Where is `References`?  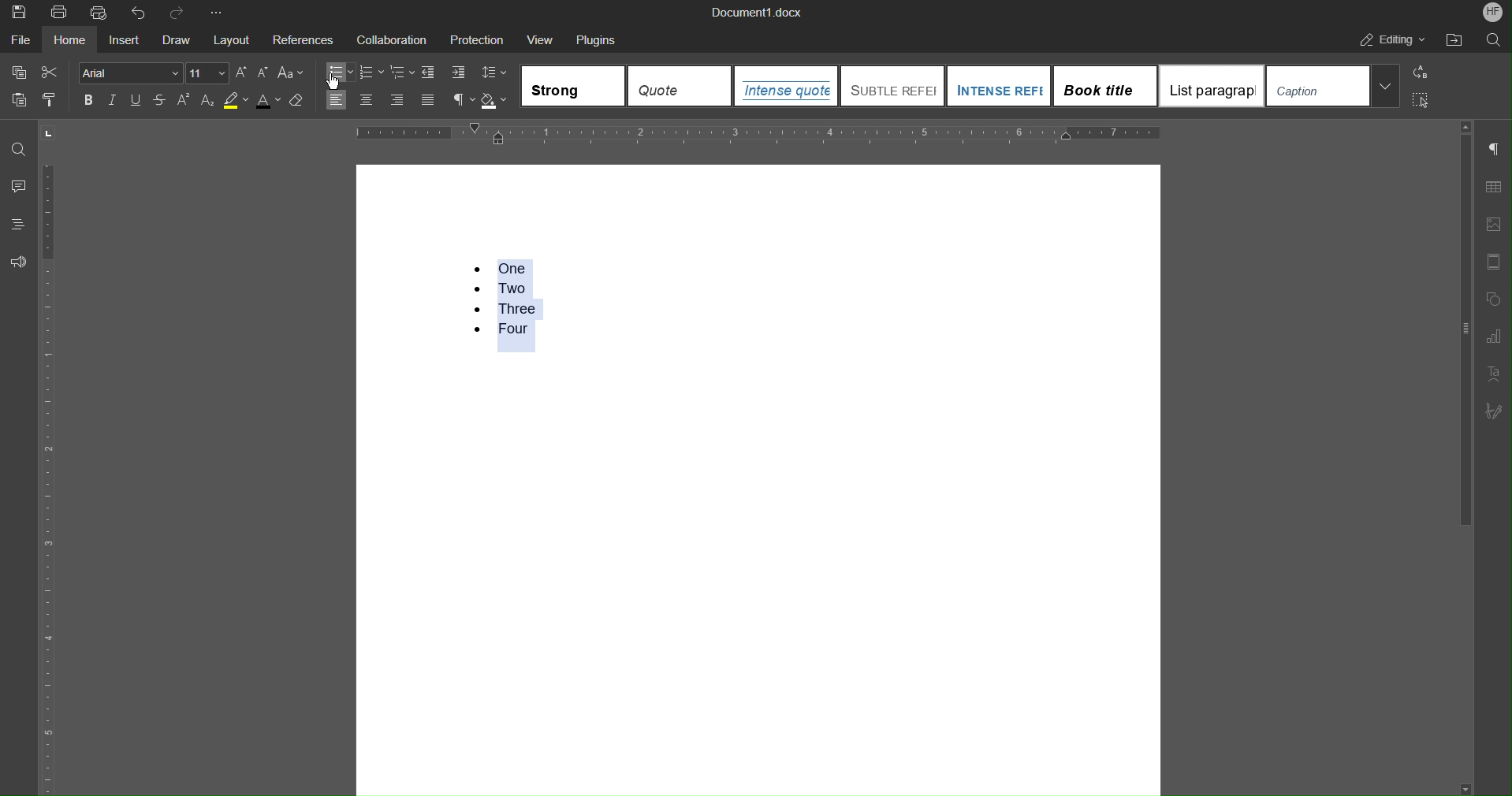 References is located at coordinates (302, 37).